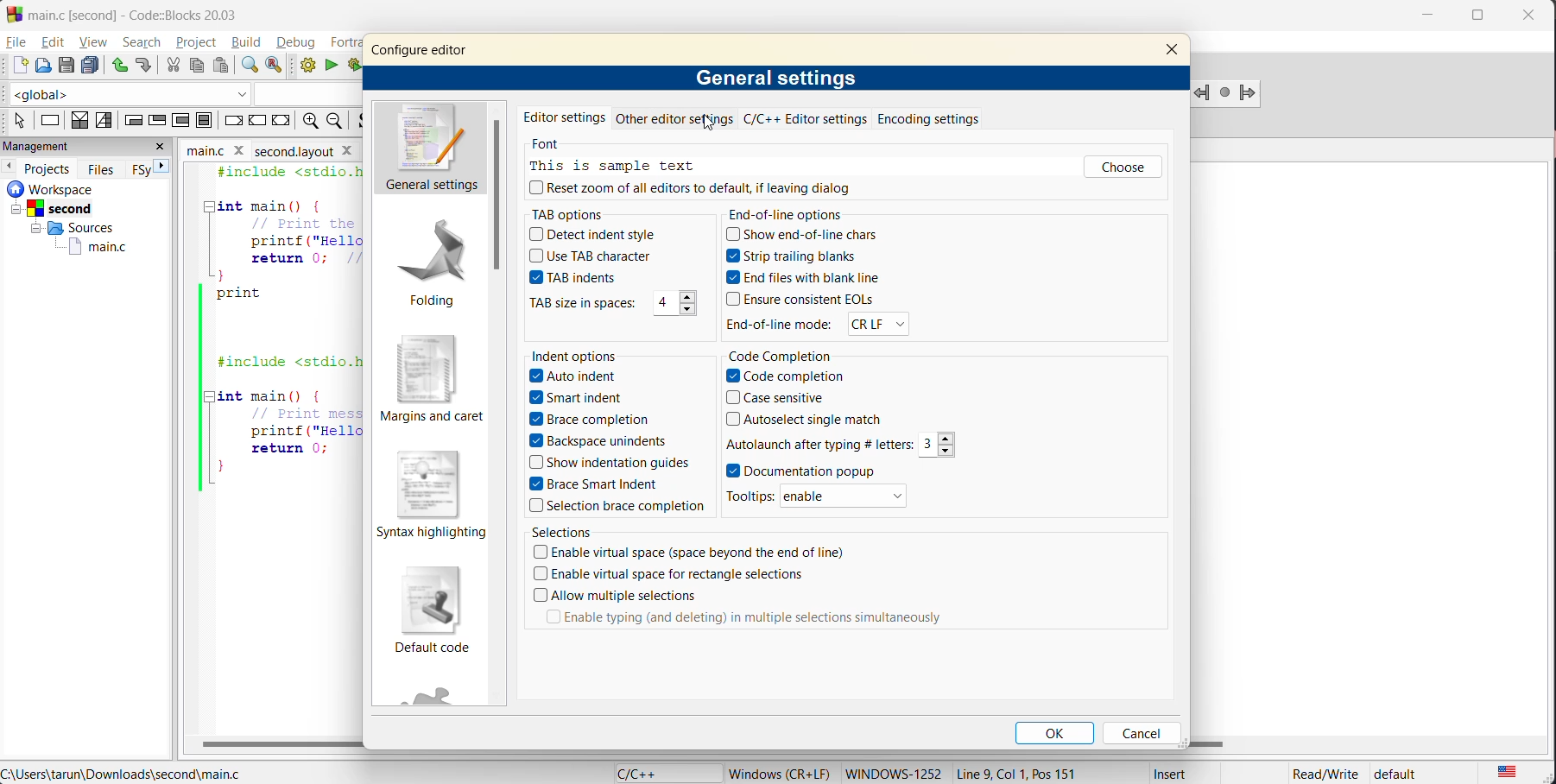 This screenshot has height=784, width=1556. Describe the element at coordinates (825, 214) in the screenshot. I see `end of line options` at that location.